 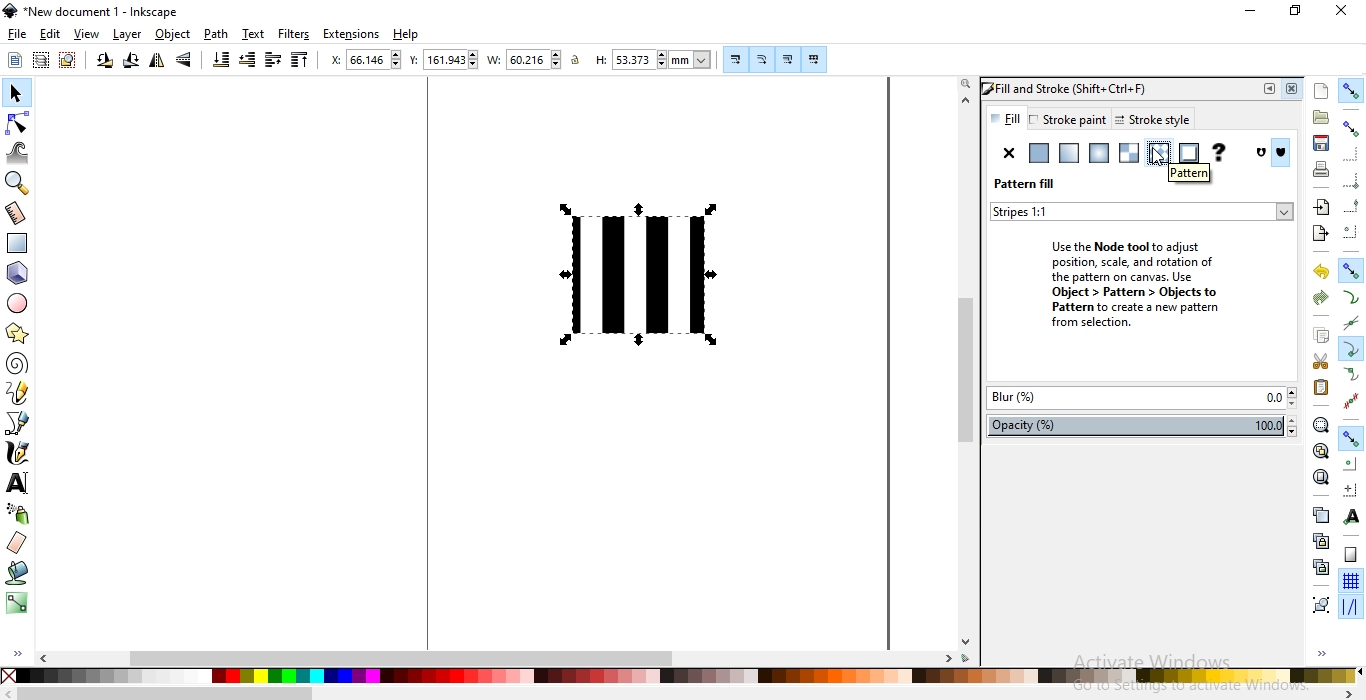 I want to click on export a document, so click(x=1324, y=232).